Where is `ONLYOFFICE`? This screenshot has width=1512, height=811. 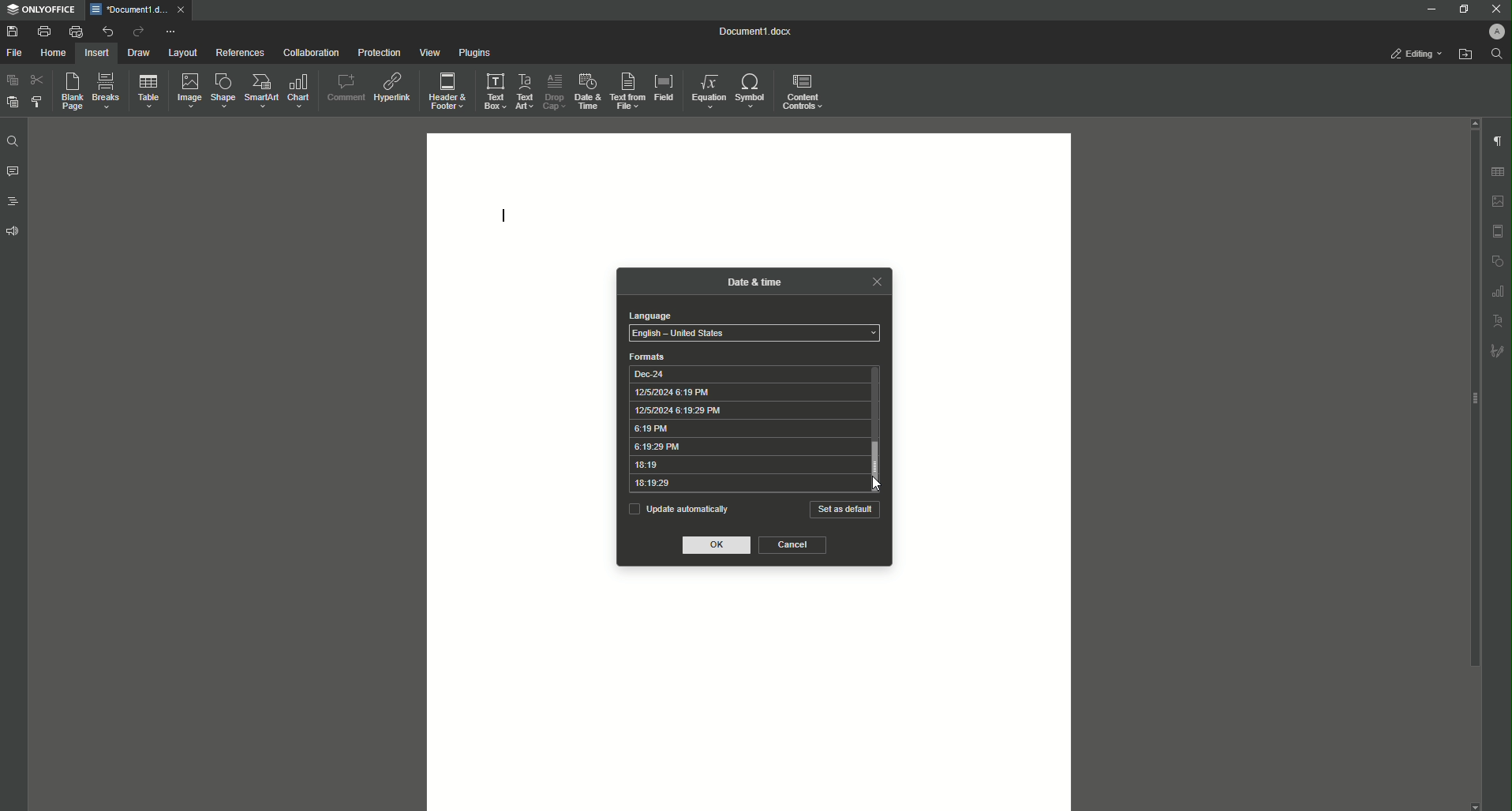
ONLYOFFICE is located at coordinates (40, 10).